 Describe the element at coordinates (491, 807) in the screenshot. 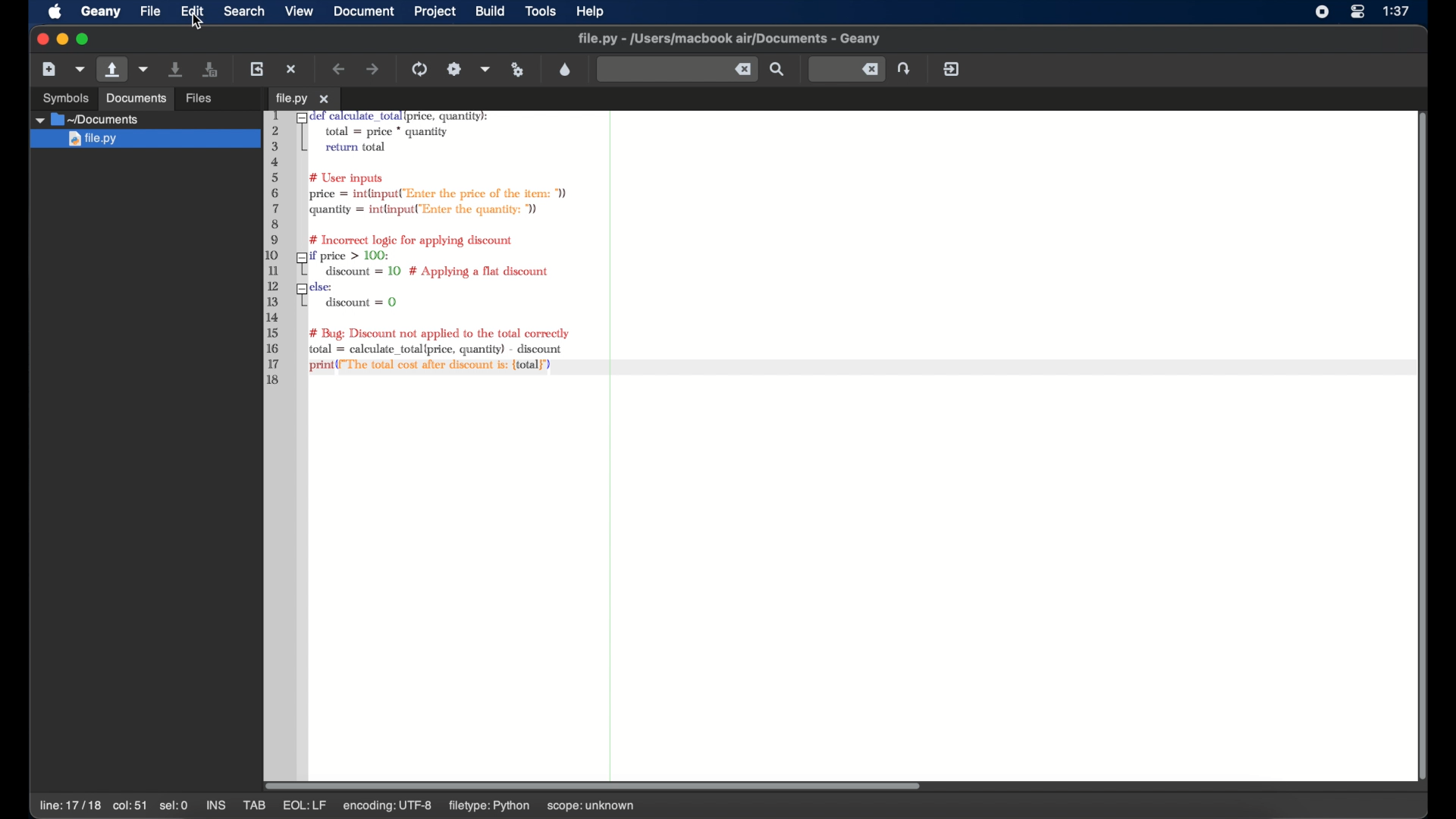

I see `filetype: python` at that location.